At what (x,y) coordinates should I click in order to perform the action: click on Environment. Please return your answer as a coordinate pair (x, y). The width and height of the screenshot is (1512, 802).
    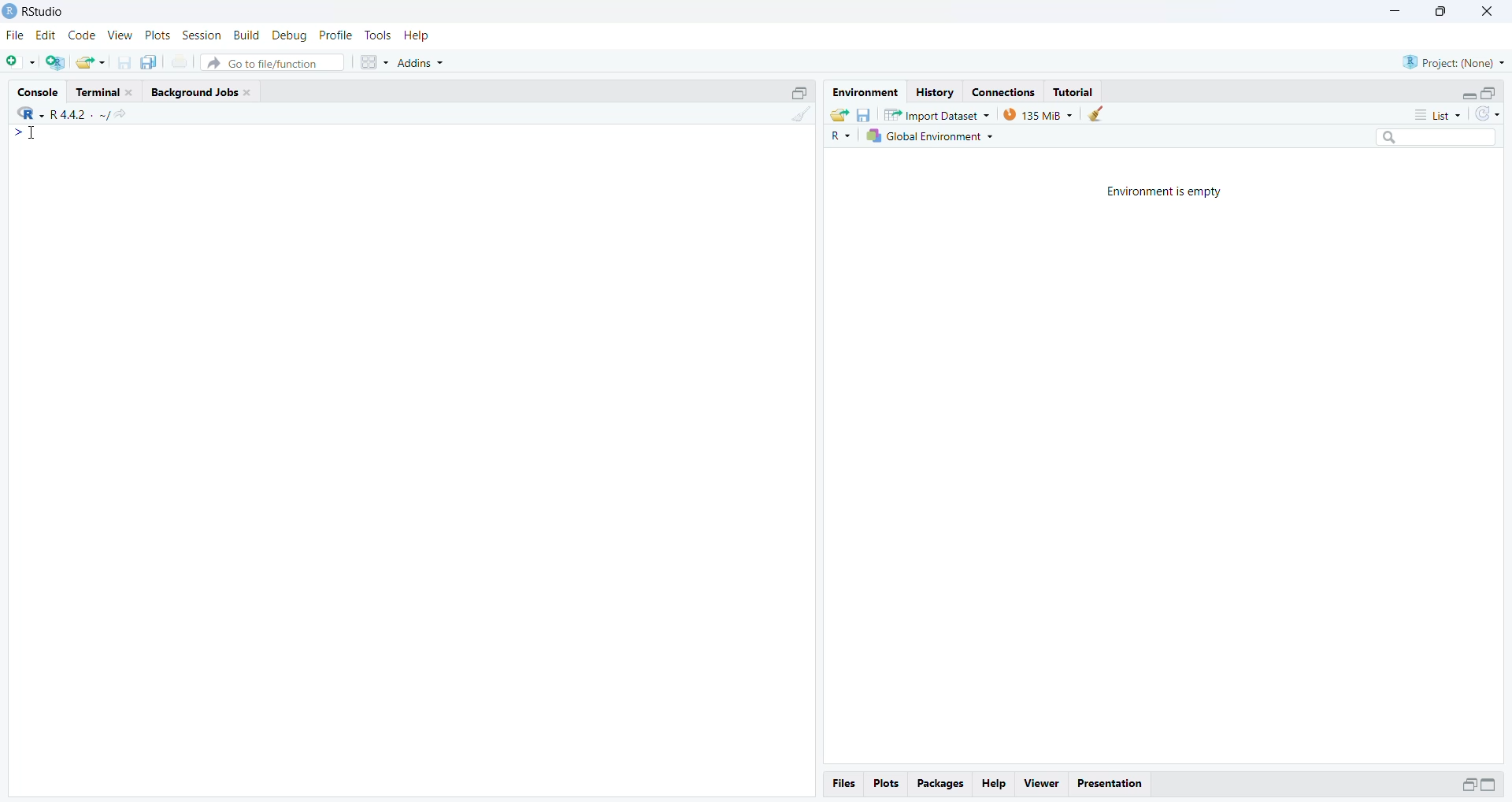
    Looking at the image, I should click on (865, 92).